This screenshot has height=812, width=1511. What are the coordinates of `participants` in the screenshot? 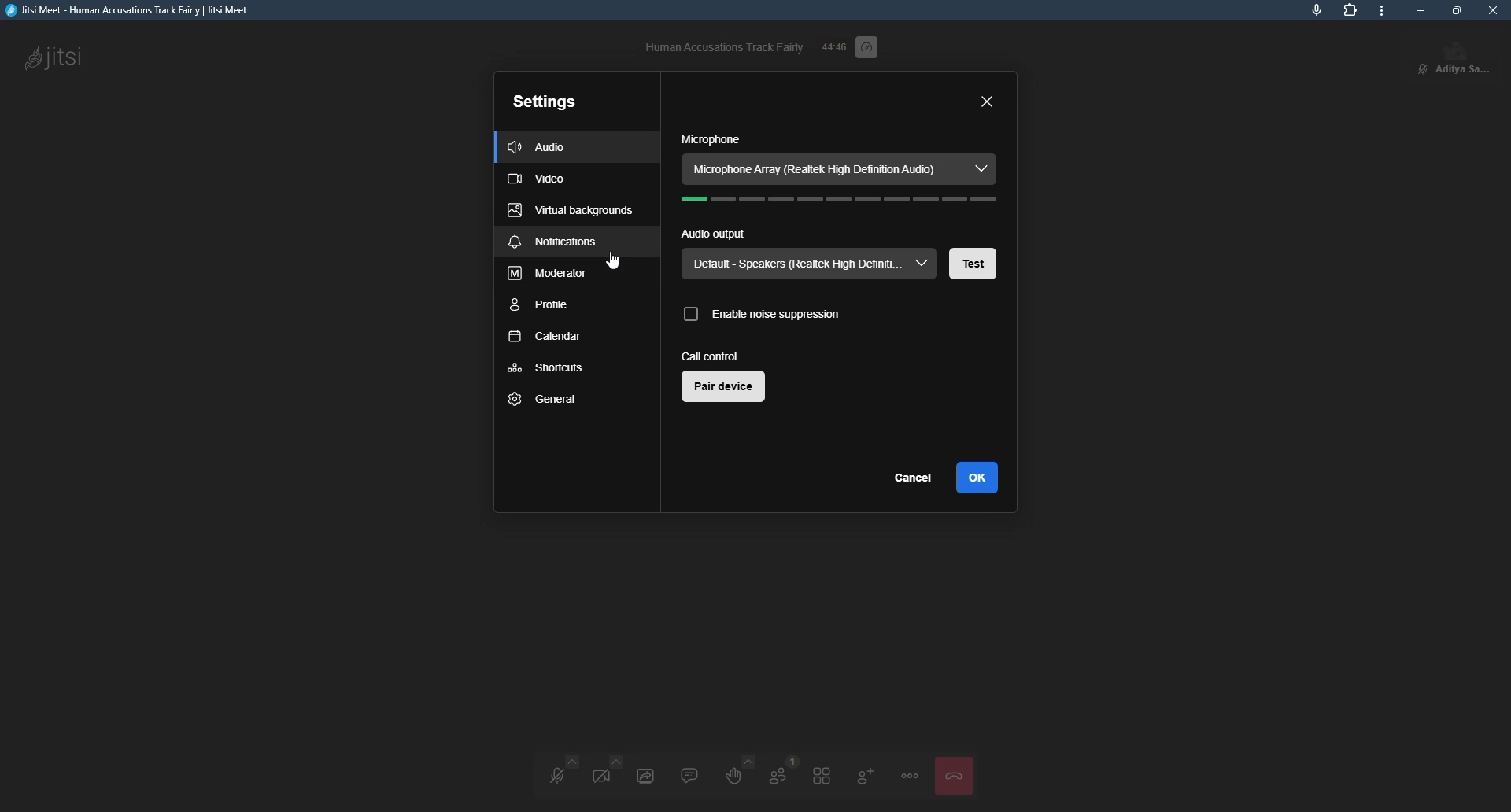 It's located at (775, 773).